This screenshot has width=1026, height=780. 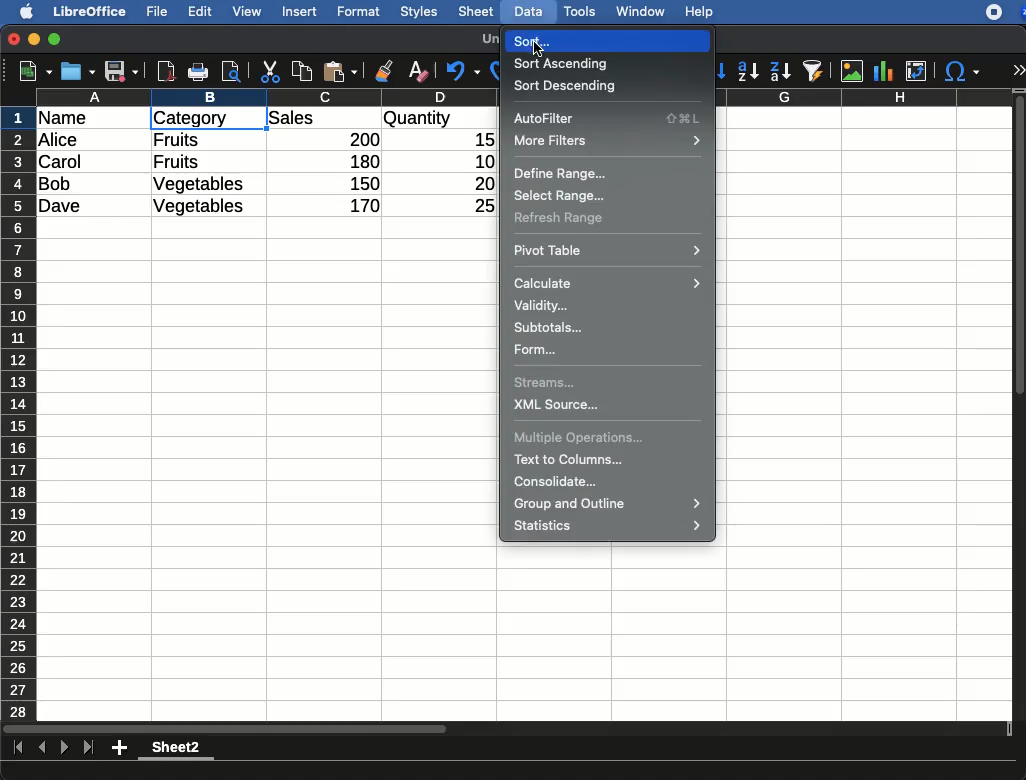 What do you see at coordinates (177, 139) in the screenshot?
I see `Fruits` at bounding box center [177, 139].